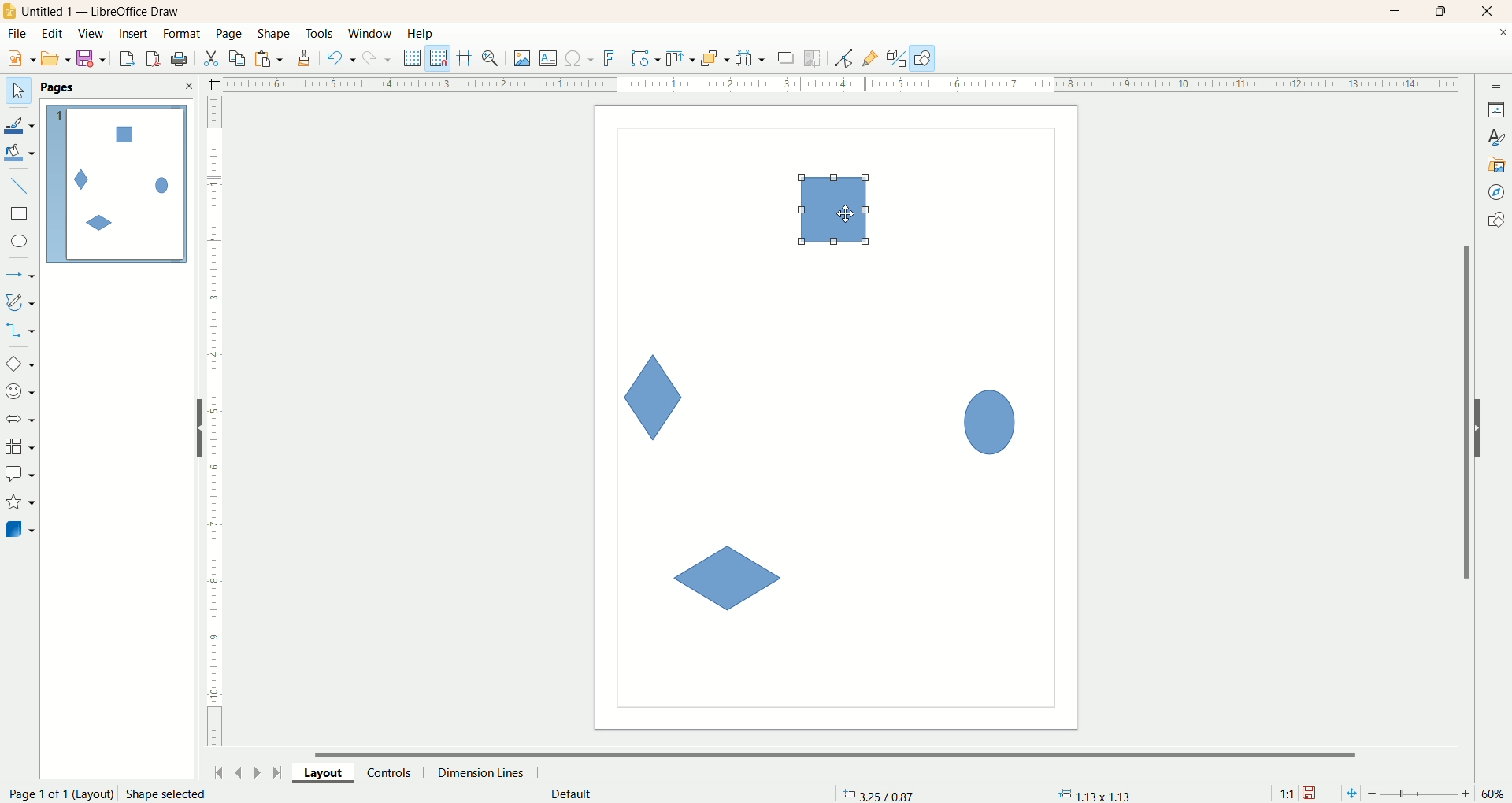 The width and height of the screenshot is (1512, 803). Describe the element at coordinates (847, 214) in the screenshot. I see `cursor` at that location.